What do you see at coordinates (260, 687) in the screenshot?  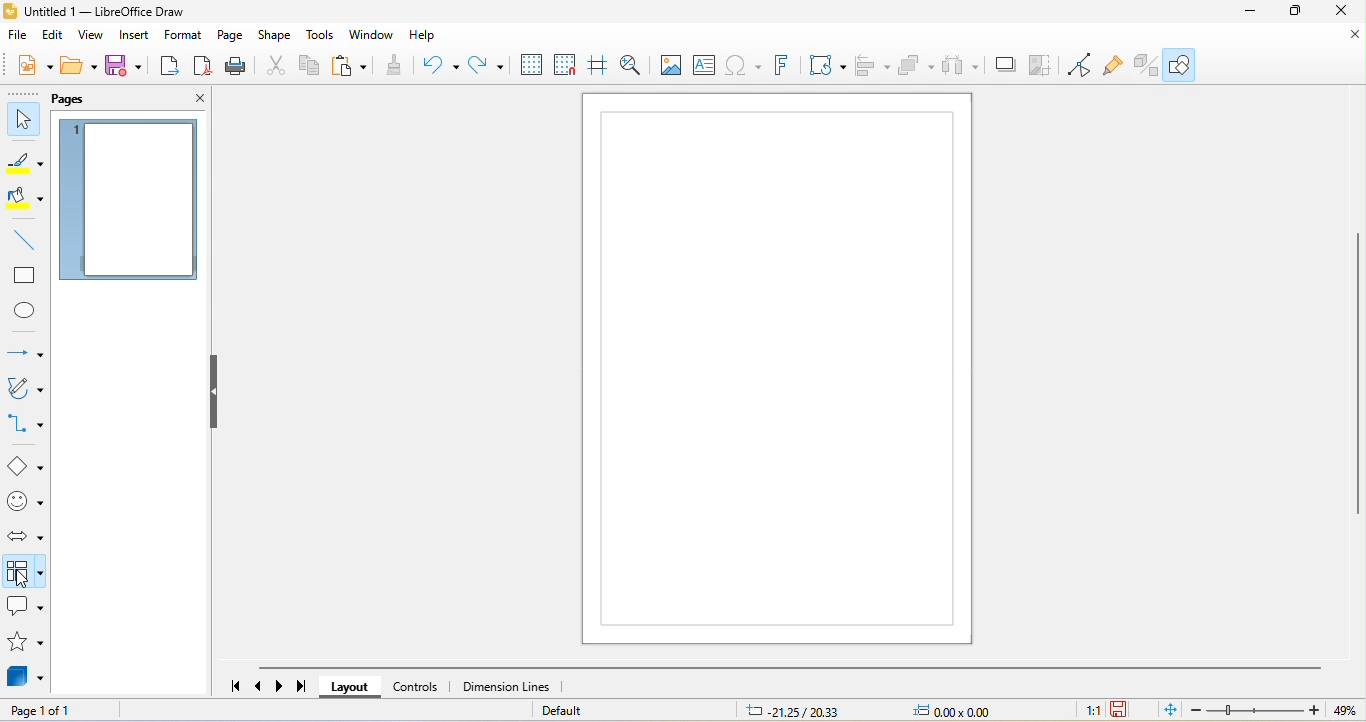 I see `scroll to previous page` at bounding box center [260, 687].